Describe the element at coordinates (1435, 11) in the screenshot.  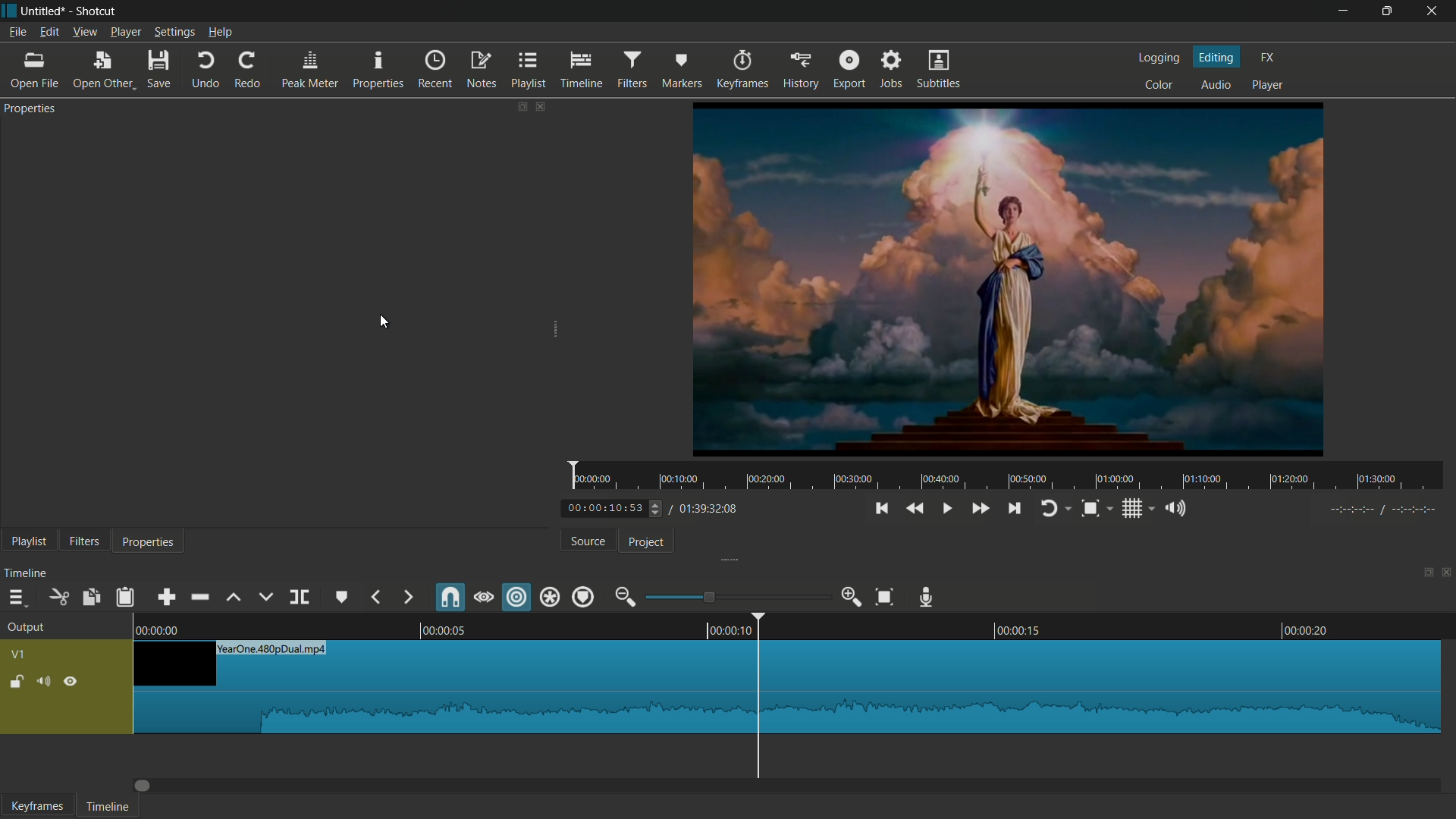
I see `close app` at that location.